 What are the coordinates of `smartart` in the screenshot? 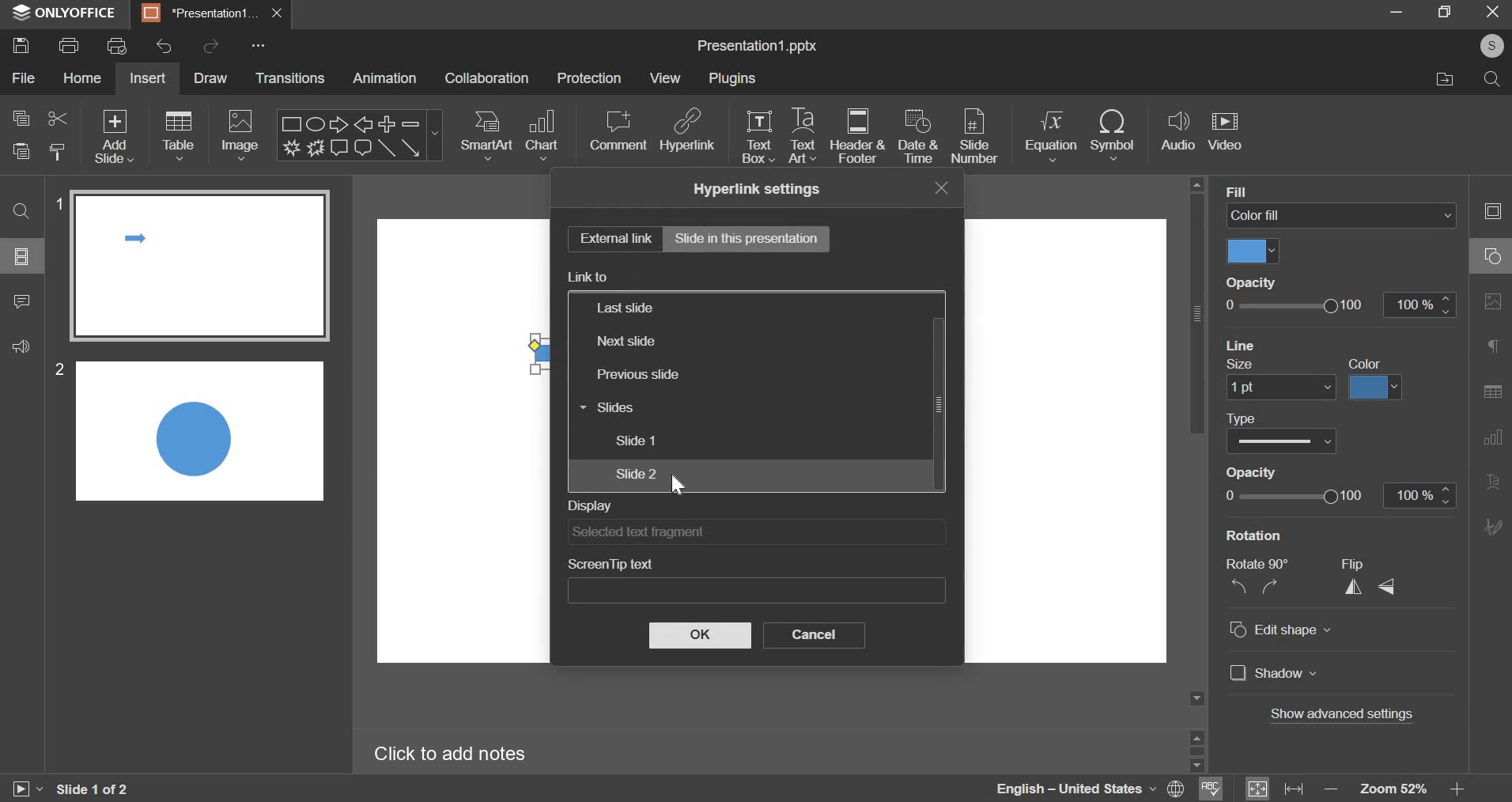 It's located at (488, 136).